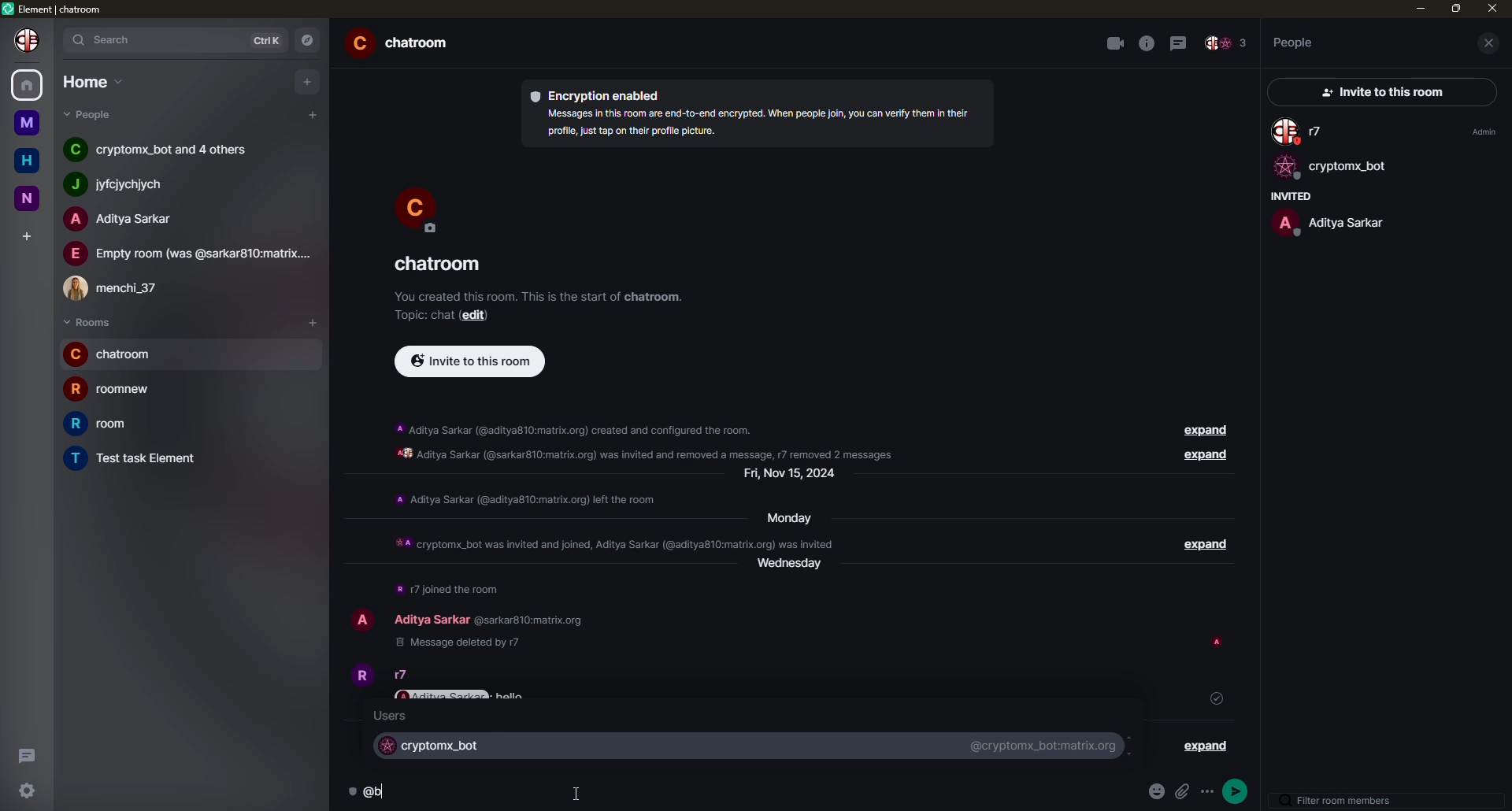 The image size is (1512, 811). What do you see at coordinates (431, 619) in the screenshot?
I see `people` at bounding box center [431, 619].